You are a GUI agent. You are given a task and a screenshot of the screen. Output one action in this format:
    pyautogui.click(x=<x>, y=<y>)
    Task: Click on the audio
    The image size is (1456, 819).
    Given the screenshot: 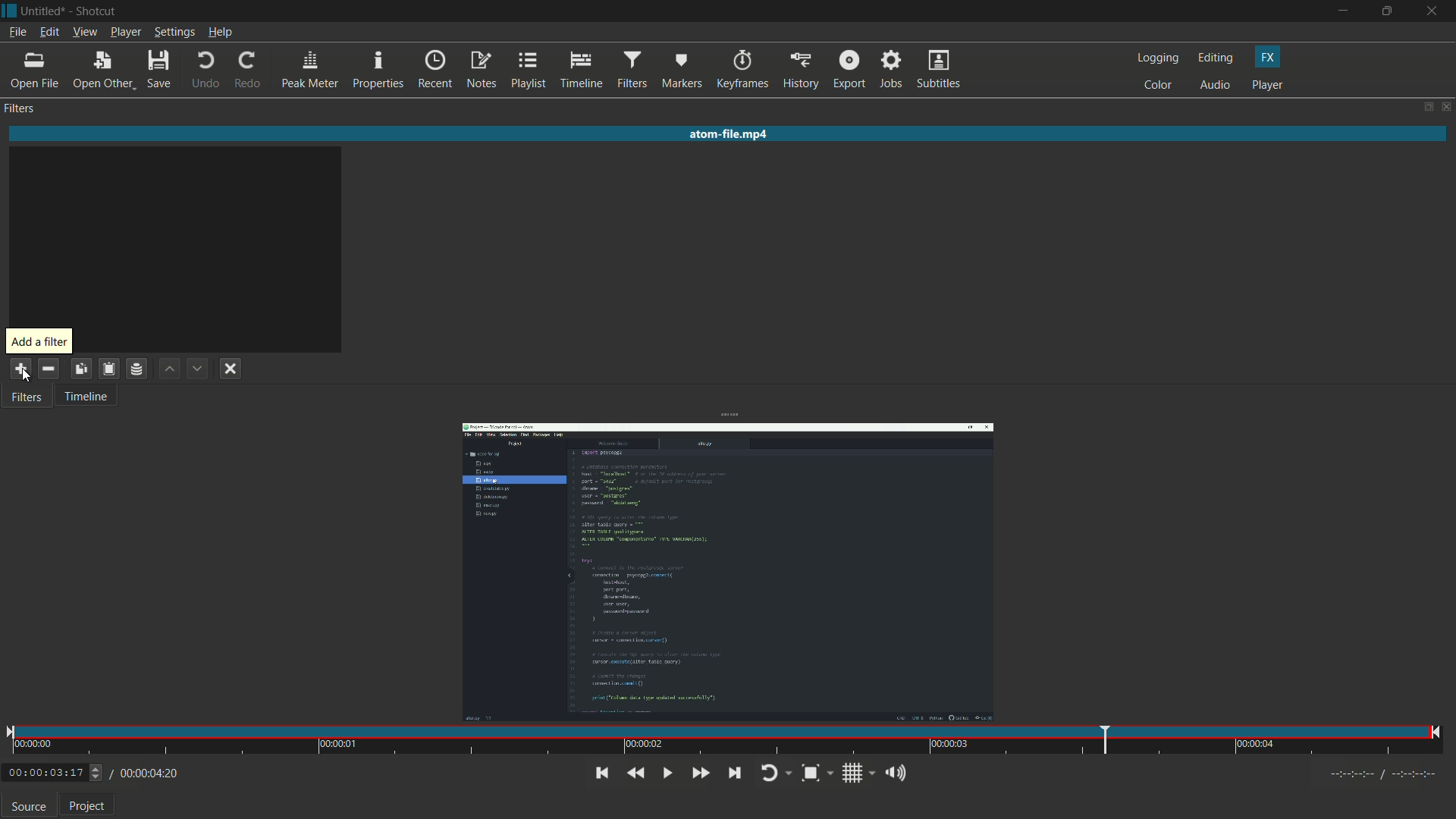 What is the action you would take?
    pyautogui.click(x=1214, y=86)
    